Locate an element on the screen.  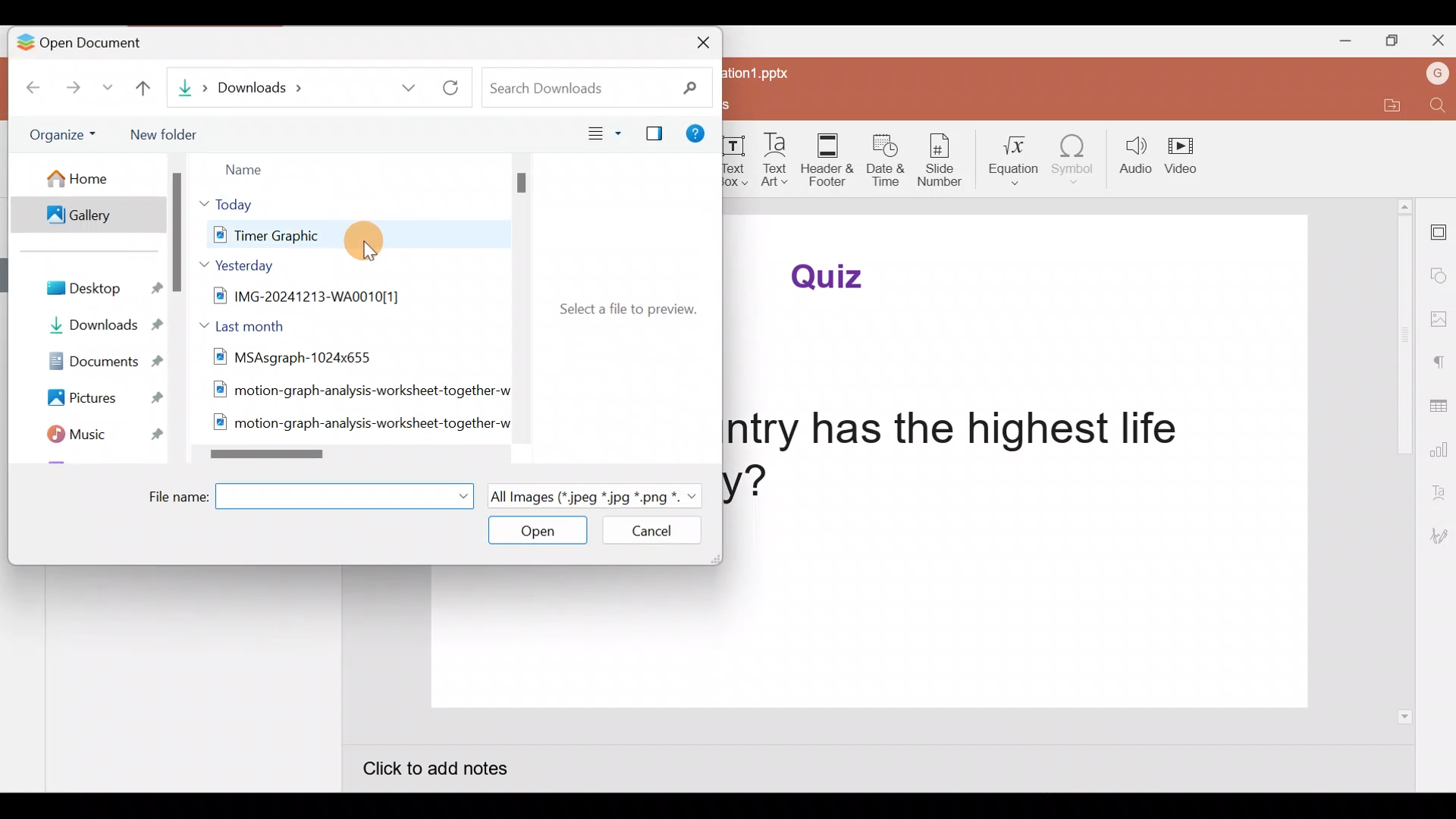
Timer Graphic is located at coordinates (325, 234).